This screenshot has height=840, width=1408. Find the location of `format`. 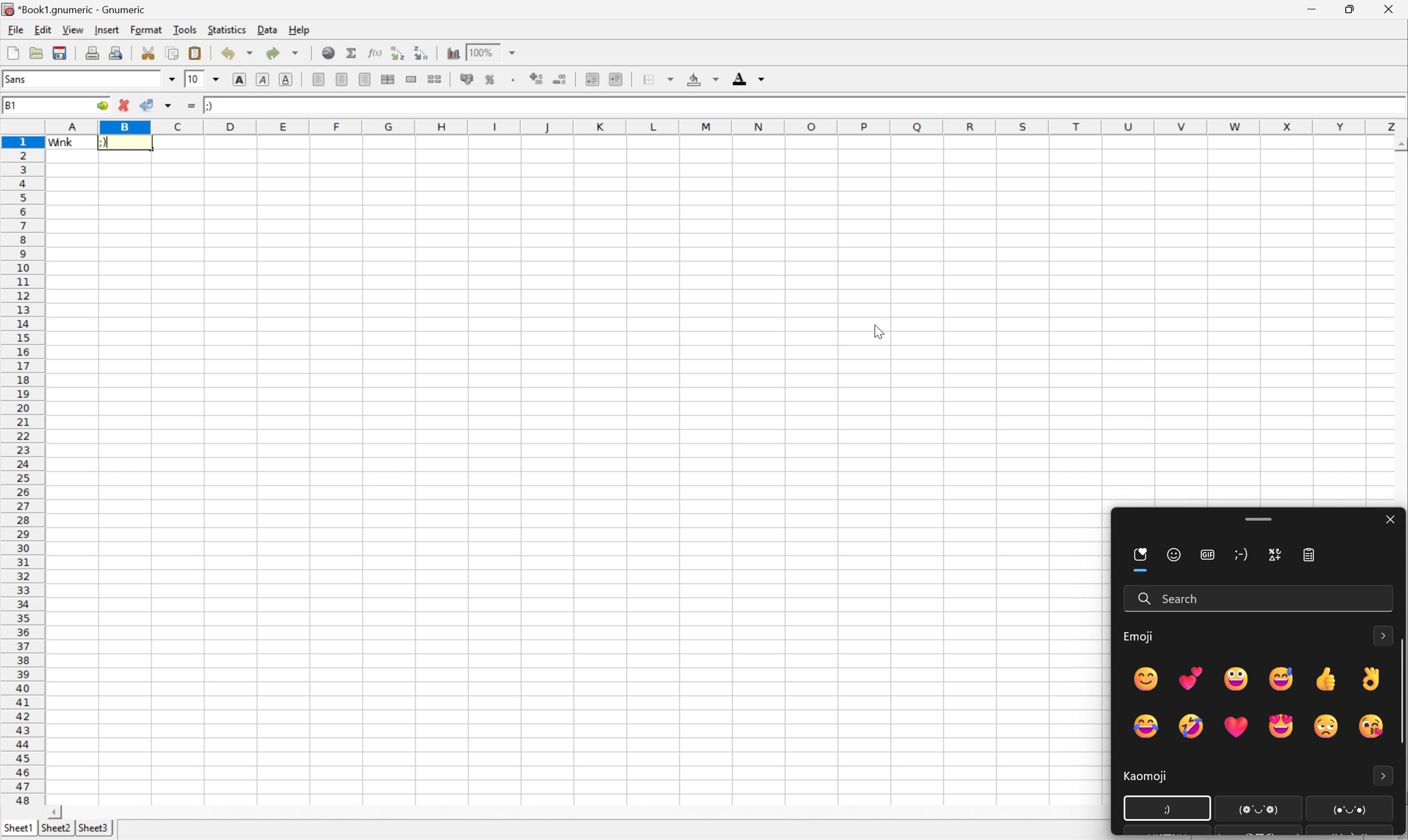

format is located at coordinates (146, 31).